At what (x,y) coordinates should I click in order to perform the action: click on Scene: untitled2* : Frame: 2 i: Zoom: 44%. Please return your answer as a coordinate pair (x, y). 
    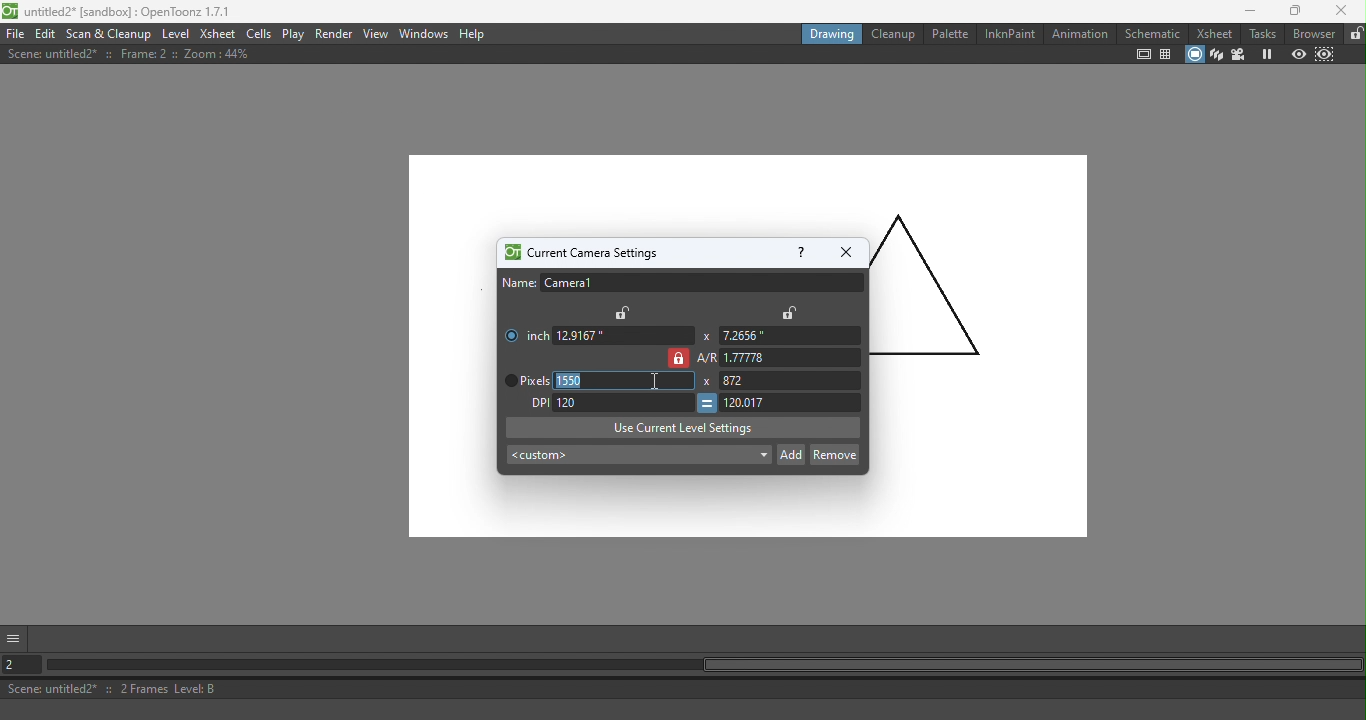
    Looking at the image, I should click on (129, 54).